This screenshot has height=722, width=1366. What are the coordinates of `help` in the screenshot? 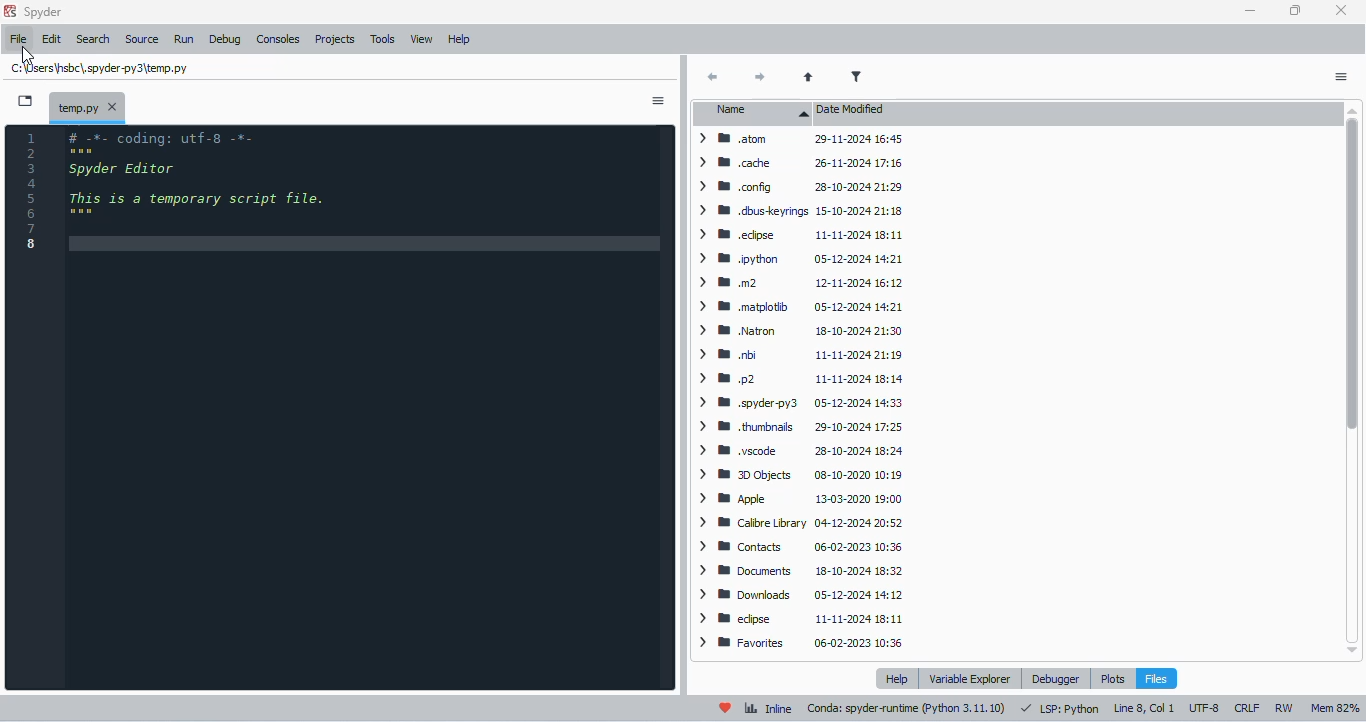 It's located at (459, 39).